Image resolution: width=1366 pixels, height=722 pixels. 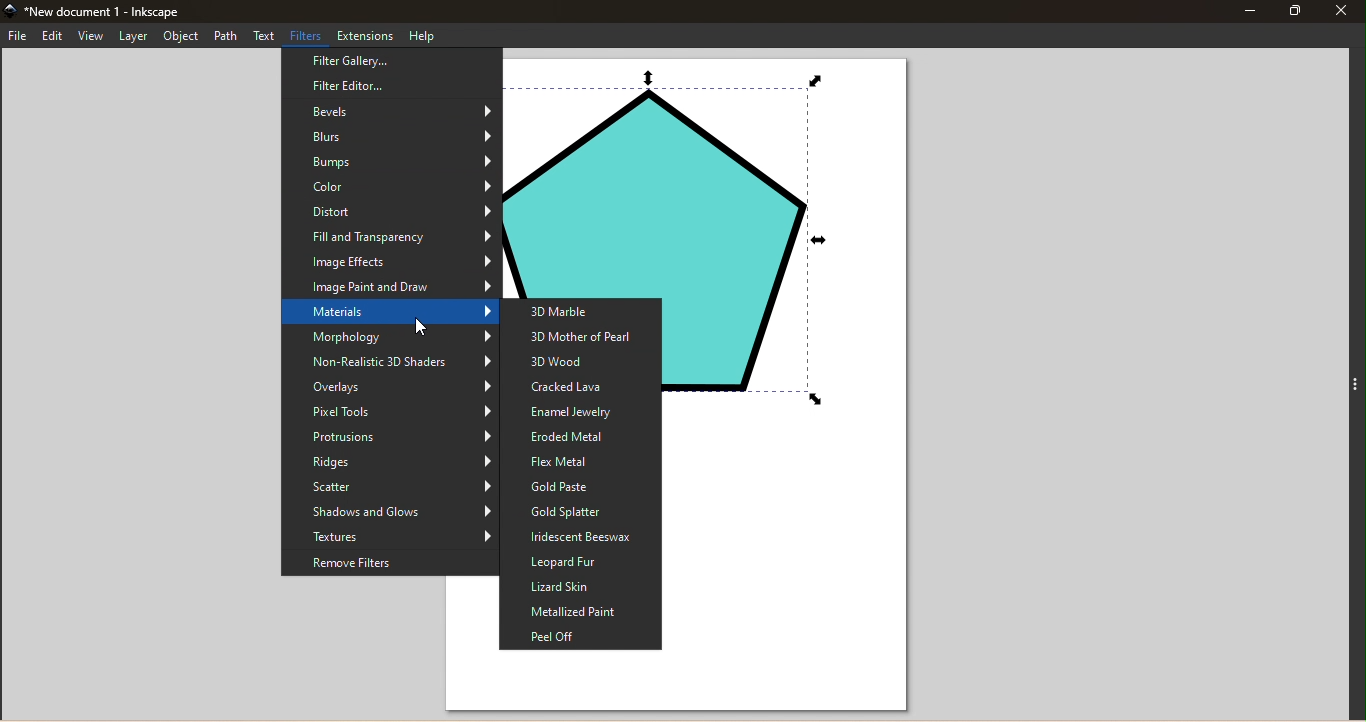 What do you see at coordinates (389, 512) in the screenshot?
I see `Shadows and glows` at bounding box center [389, 512].